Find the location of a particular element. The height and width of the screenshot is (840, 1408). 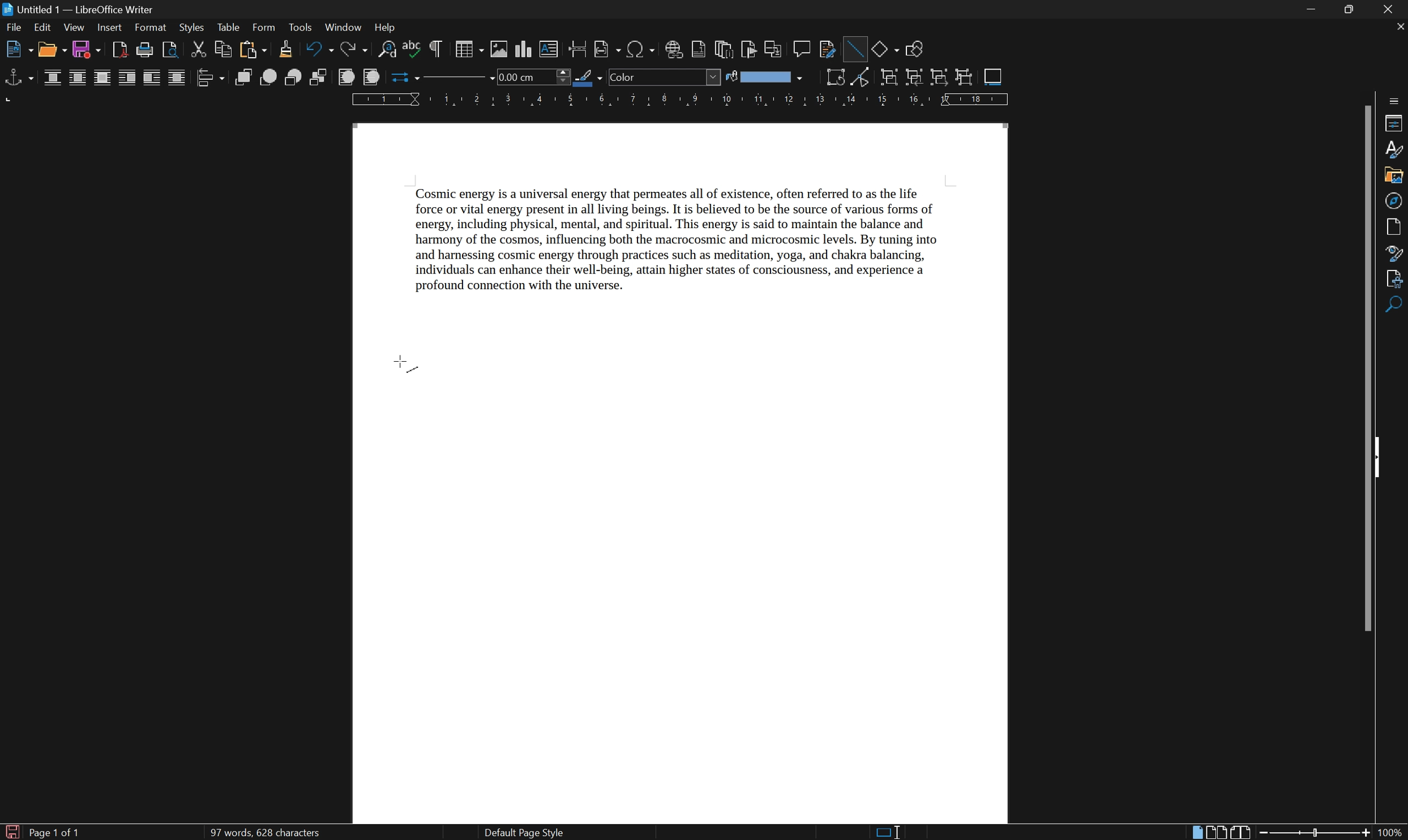

accessibility check is located at coordinates (1396, 306).